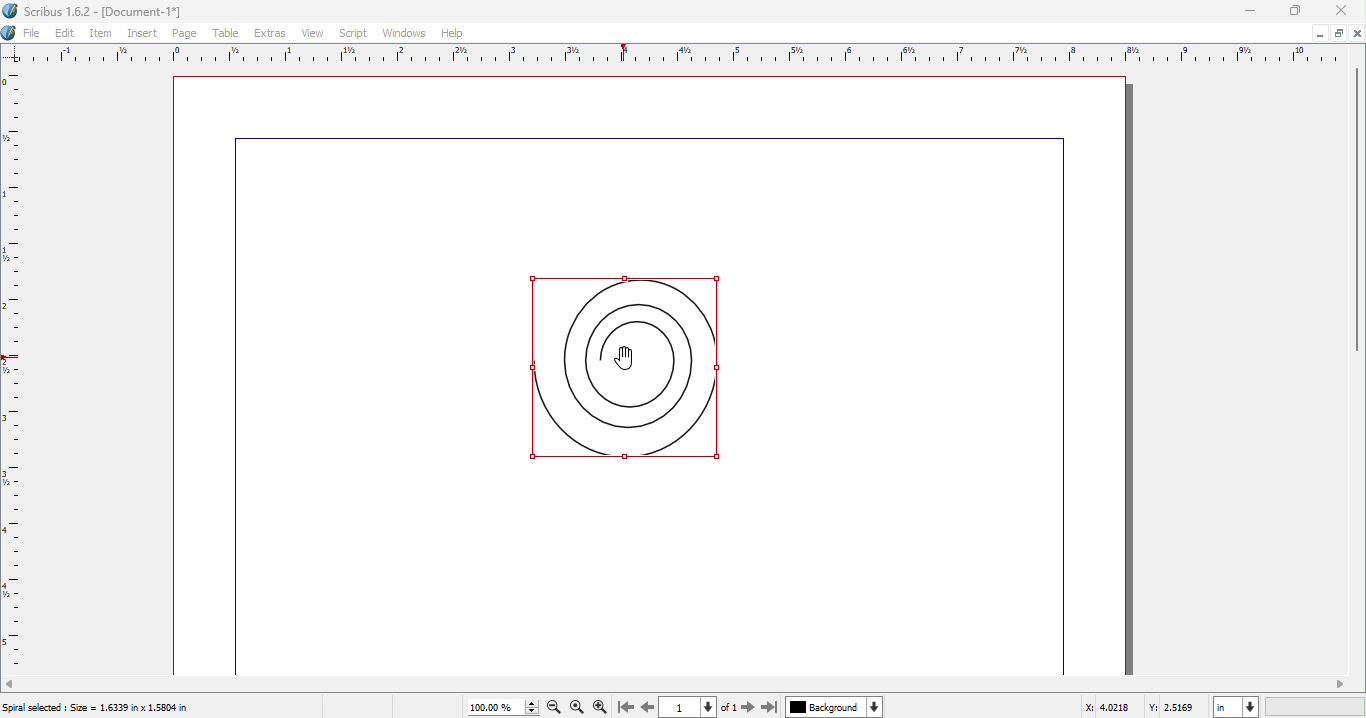 This screenshot has width=1366, height=718. Describe the element at coordinates (102, 33) in the screenshot. I see `Item` at that location.